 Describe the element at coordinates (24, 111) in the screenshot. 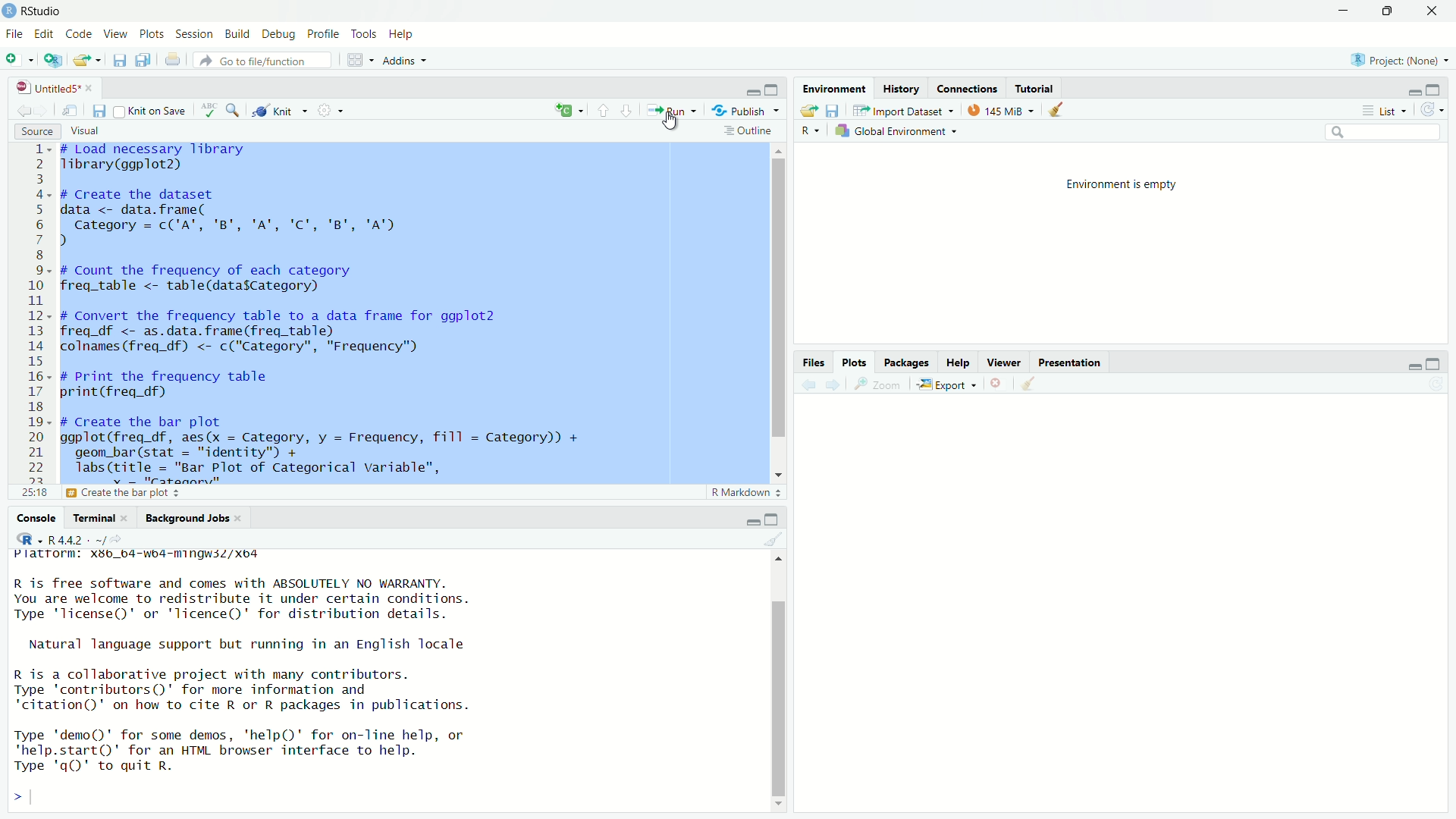

I see `go back` at that location.